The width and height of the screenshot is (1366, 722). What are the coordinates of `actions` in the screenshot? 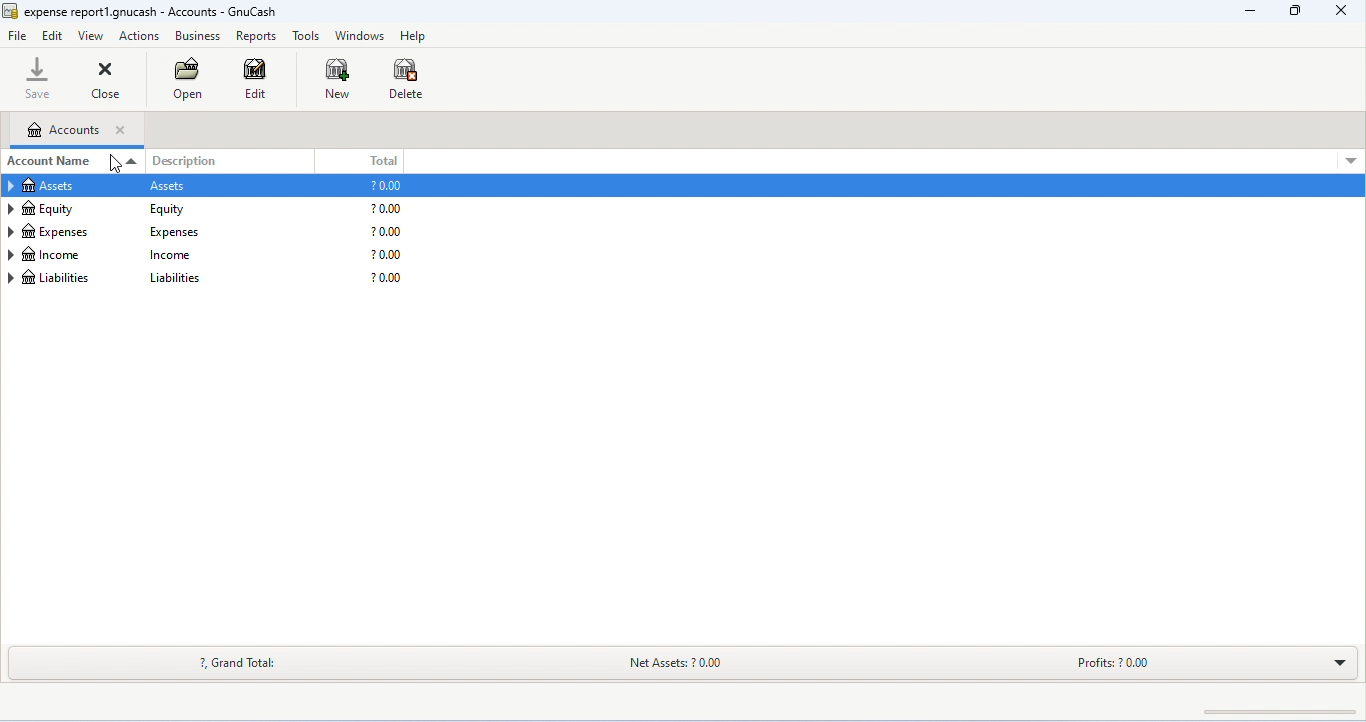 It's located at (140, 36).